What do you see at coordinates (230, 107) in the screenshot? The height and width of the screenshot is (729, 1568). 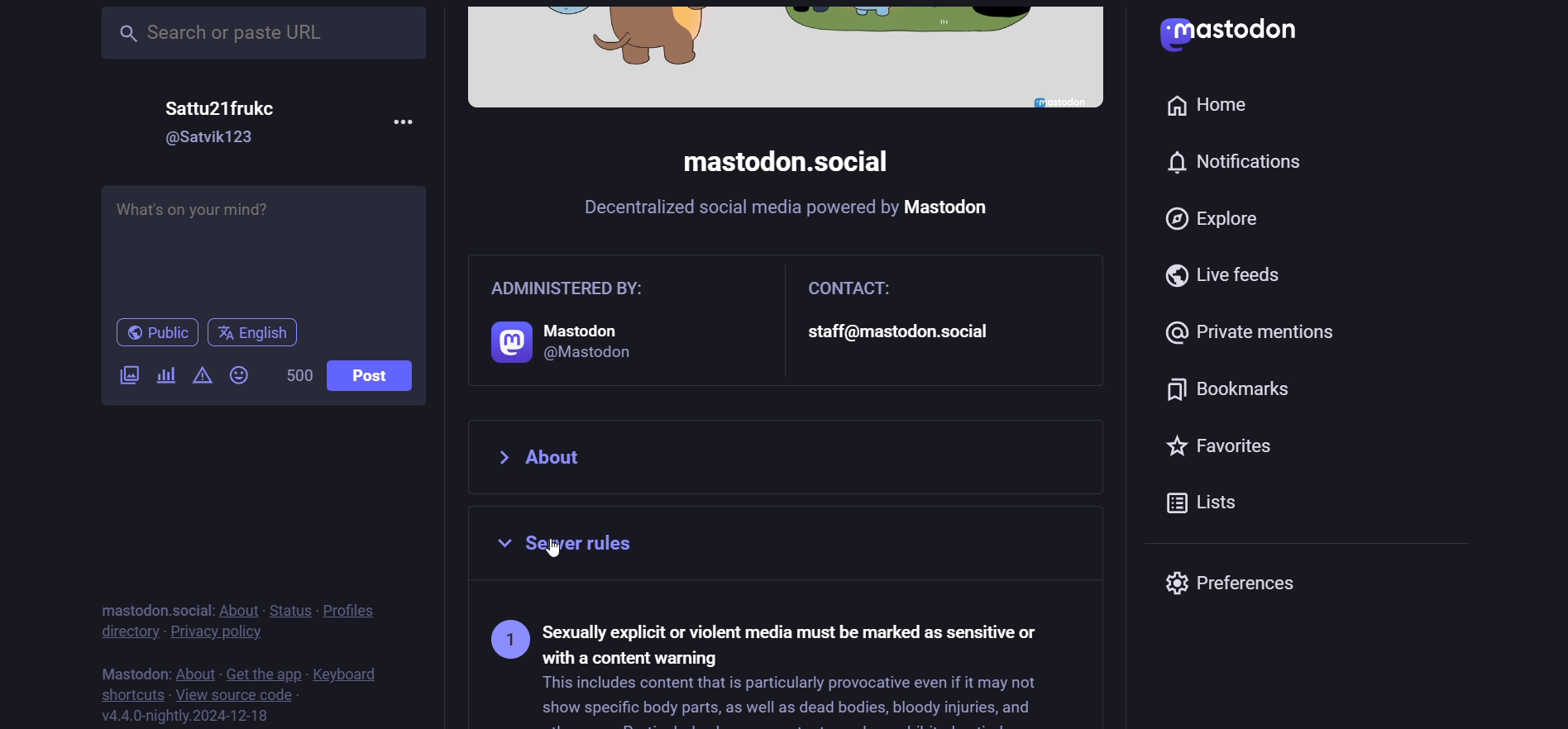 I see `name` at bounding box center [230, 107].